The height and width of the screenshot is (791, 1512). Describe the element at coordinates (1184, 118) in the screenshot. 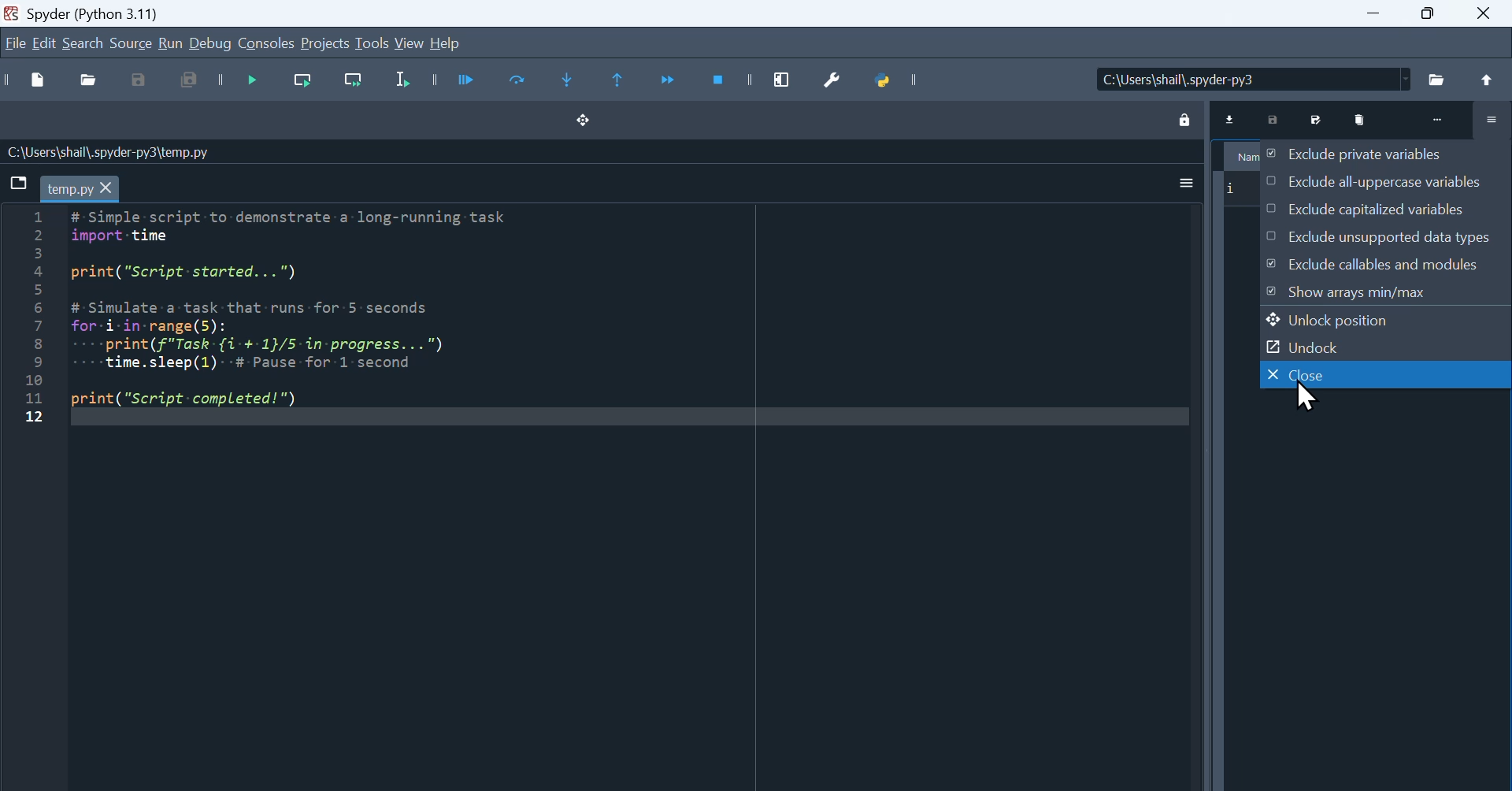

I see `Lock button` at that location.